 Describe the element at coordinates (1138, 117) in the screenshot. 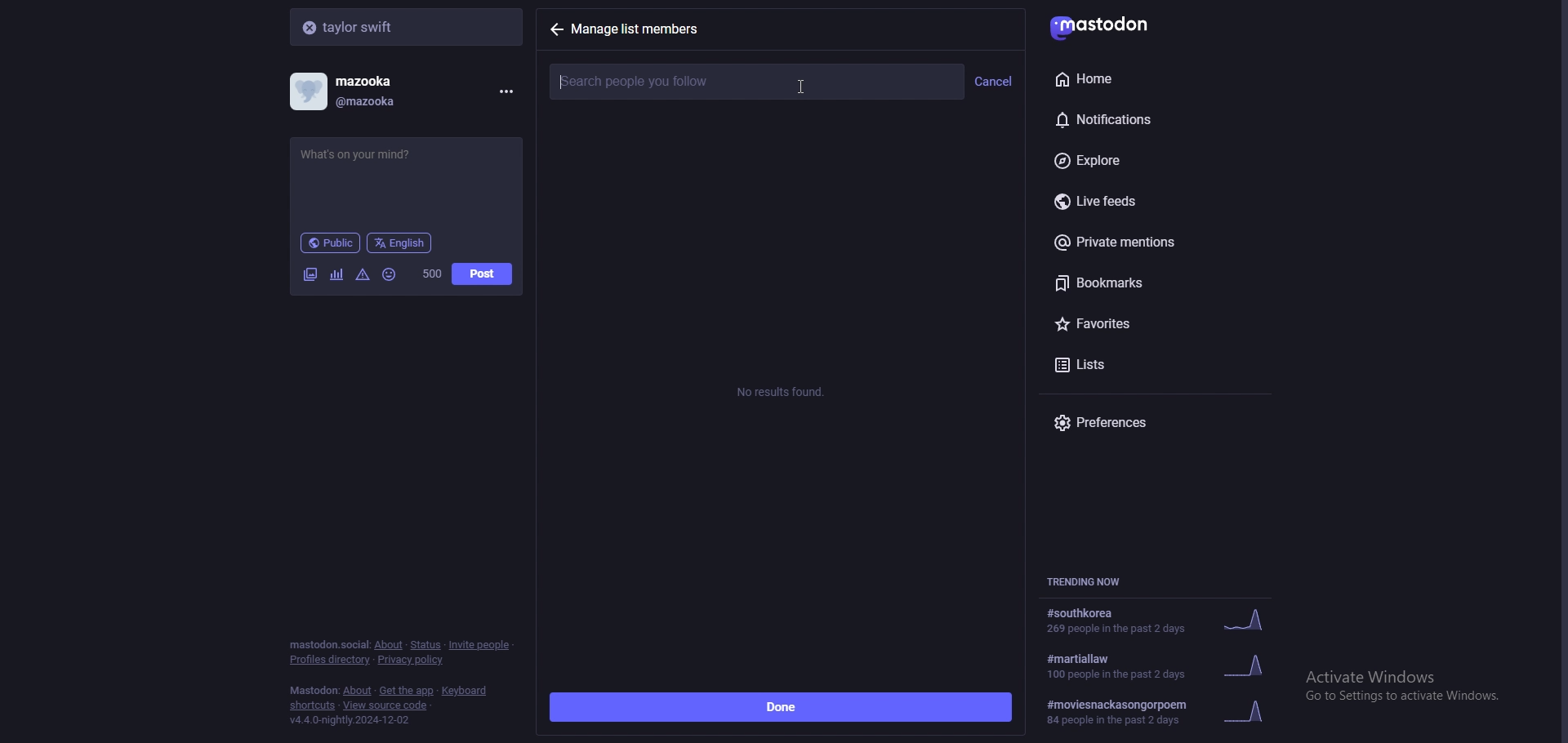

I see `notifications` at that location.